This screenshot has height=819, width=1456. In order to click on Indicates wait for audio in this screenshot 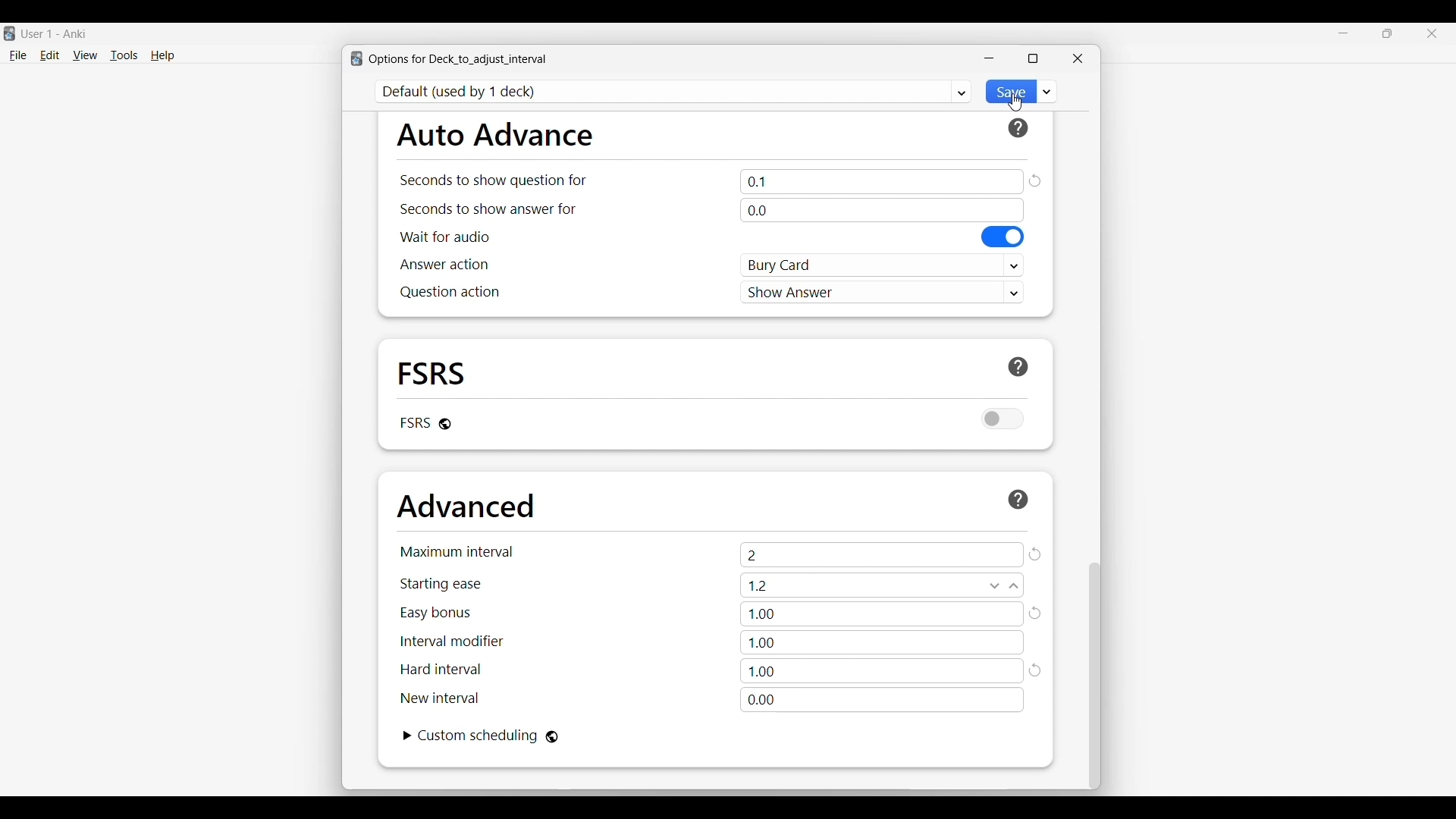, I will do `click(445, 237)`.